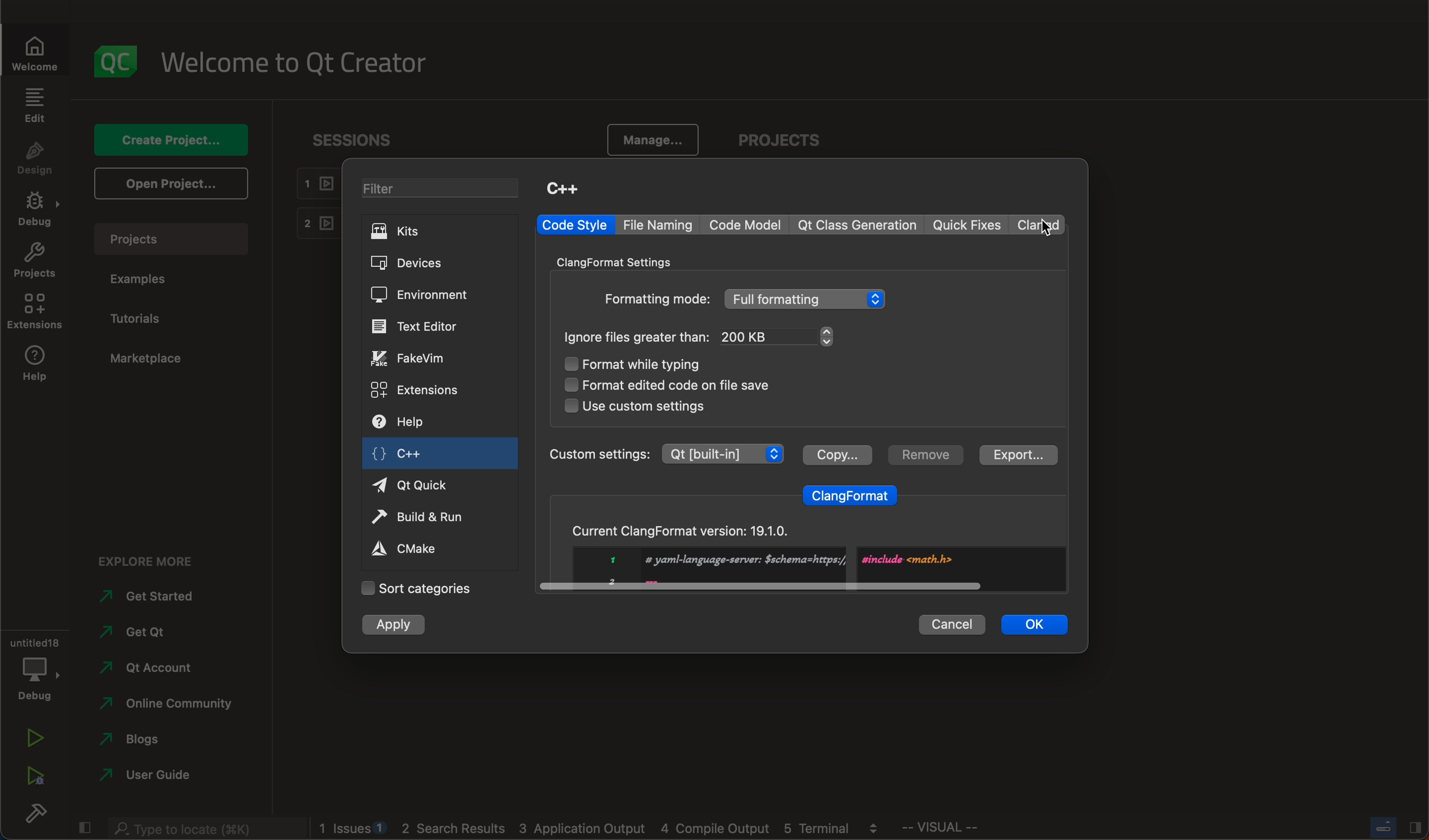 This screenshot has width=1429, height=840. I want to click on file naming, so click(658, 225).